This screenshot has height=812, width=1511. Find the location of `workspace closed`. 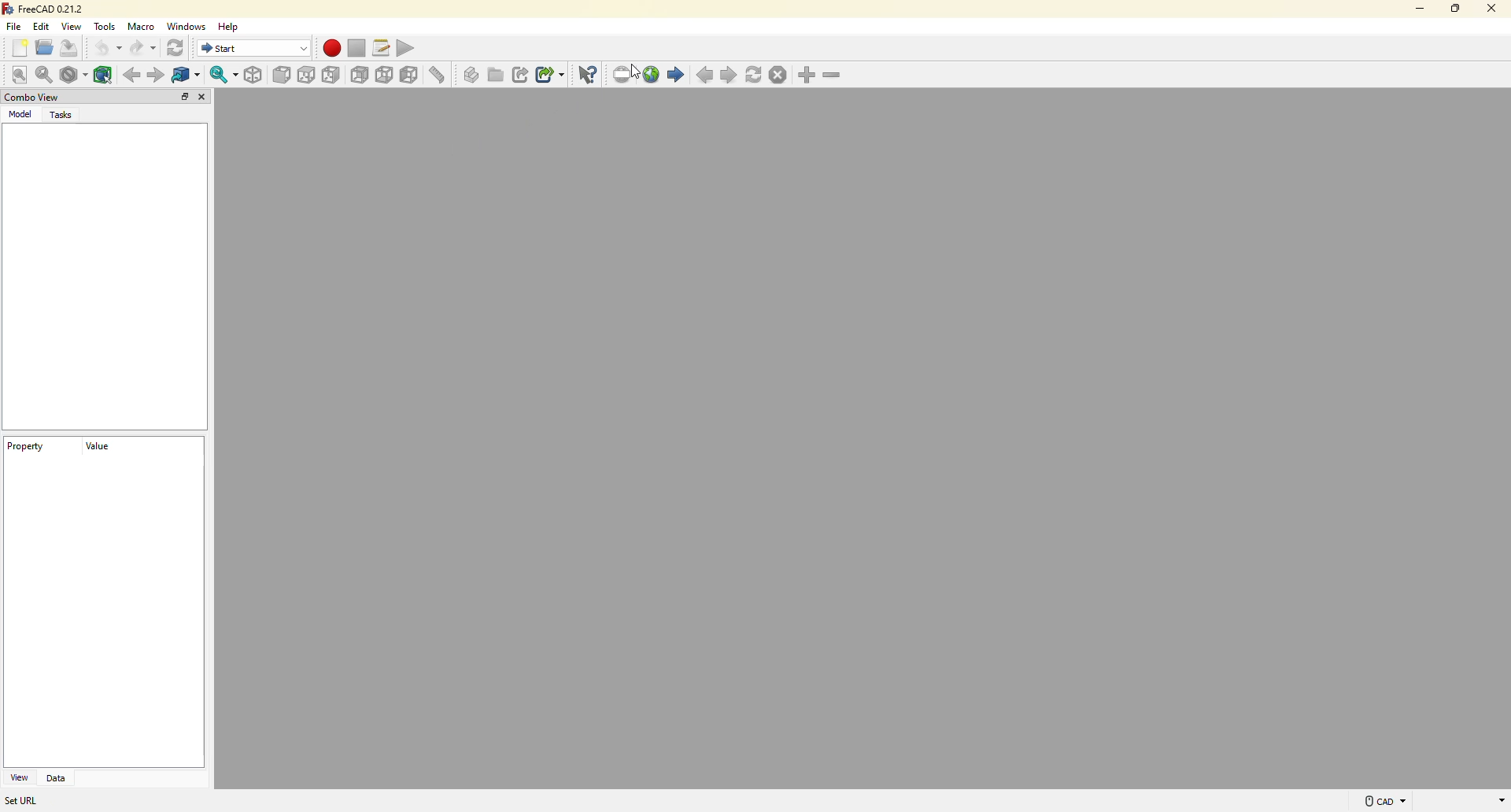

workspace closed is located at coordinates (863, 437).